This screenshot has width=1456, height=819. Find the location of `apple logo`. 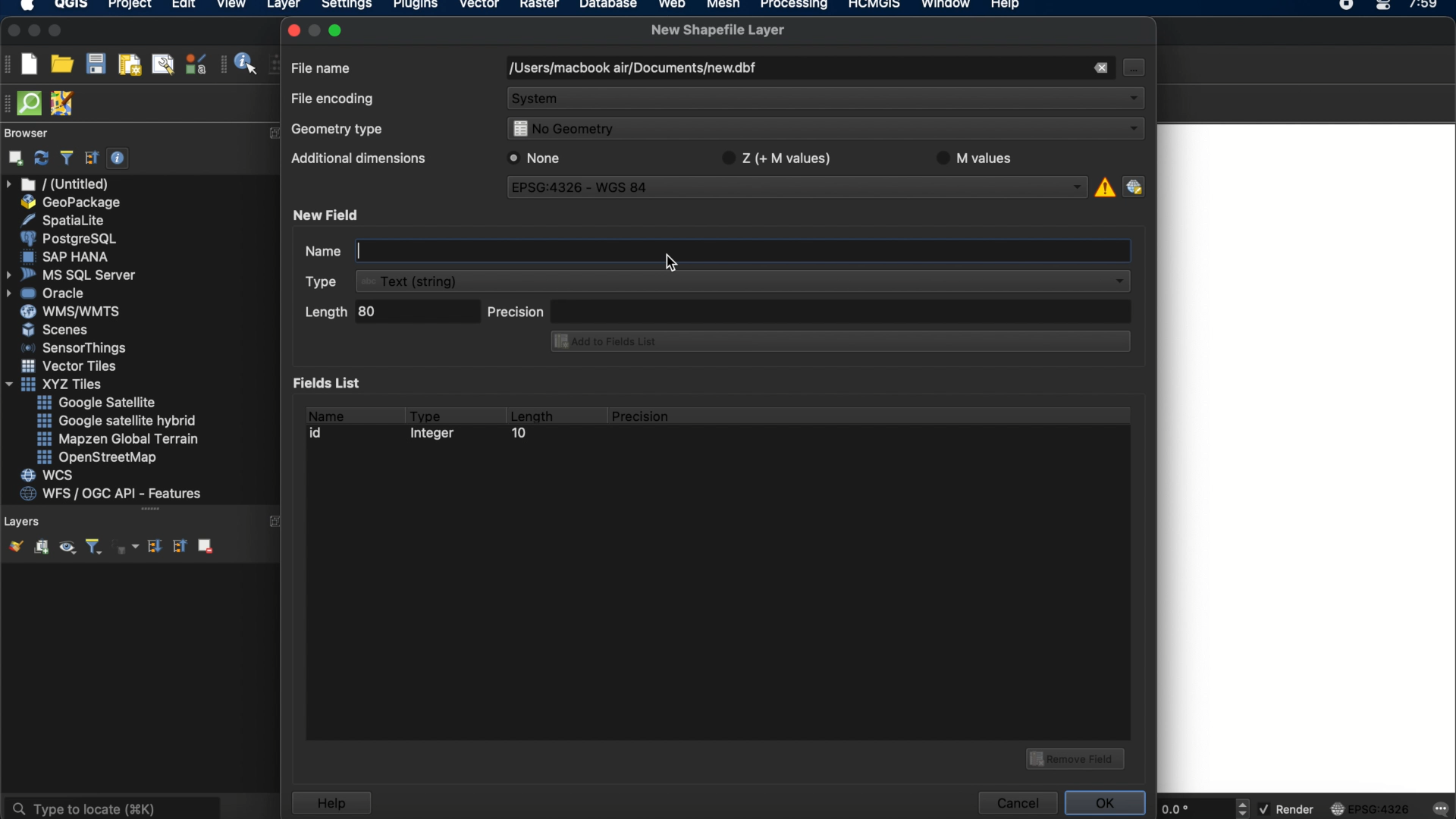

apple logo is located at coordinates (25, 6).